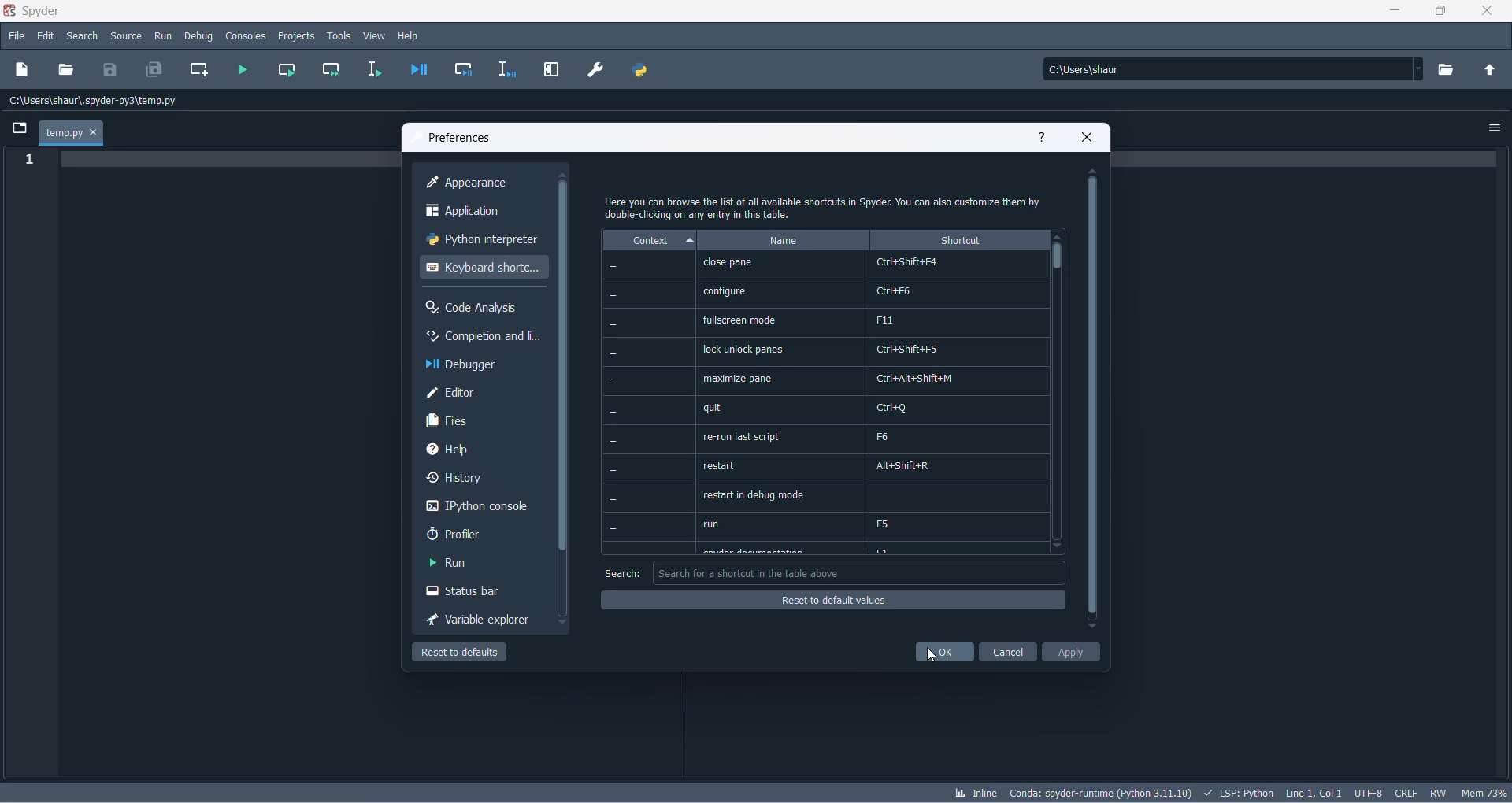 Image resolution: width=1512 pixels, height=803 pixels. What do you see at coordinates (561, 176) in the screenshot?
I see `move up` at bounding box center [561, 176].